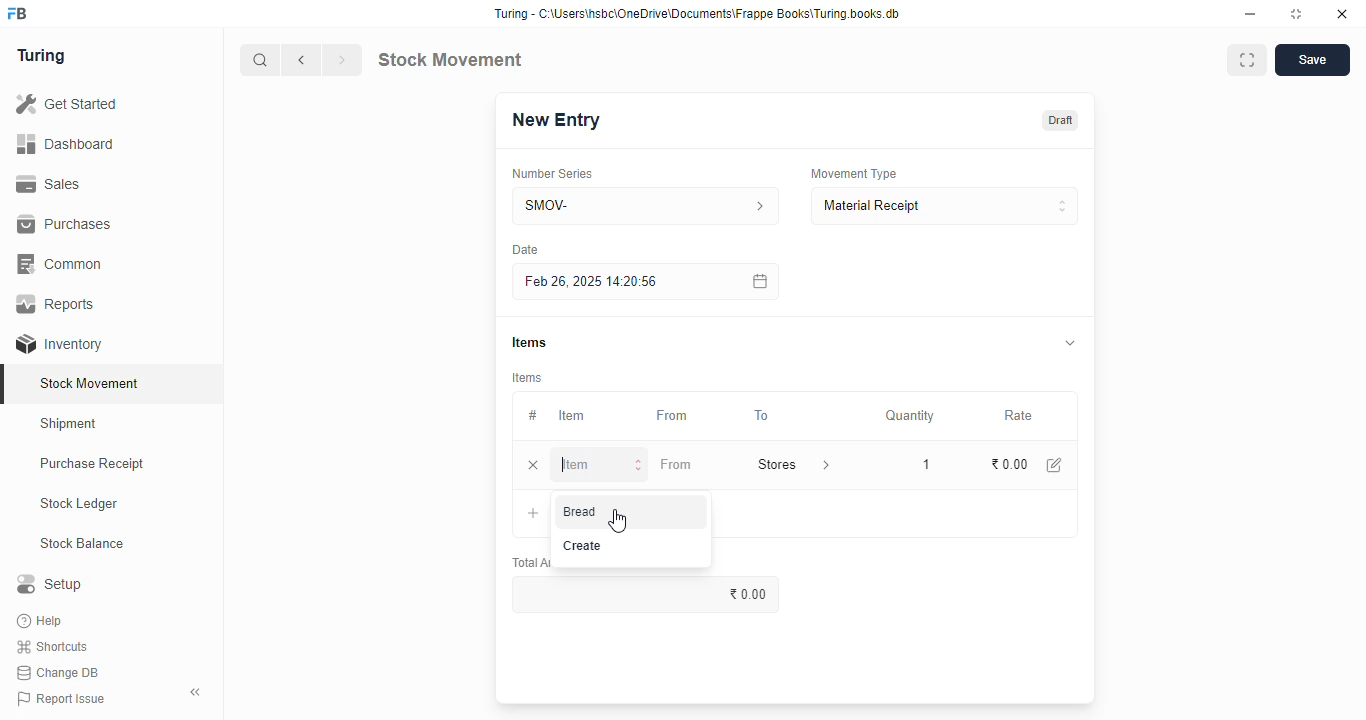  I want to click on Date, so click(525, 249).